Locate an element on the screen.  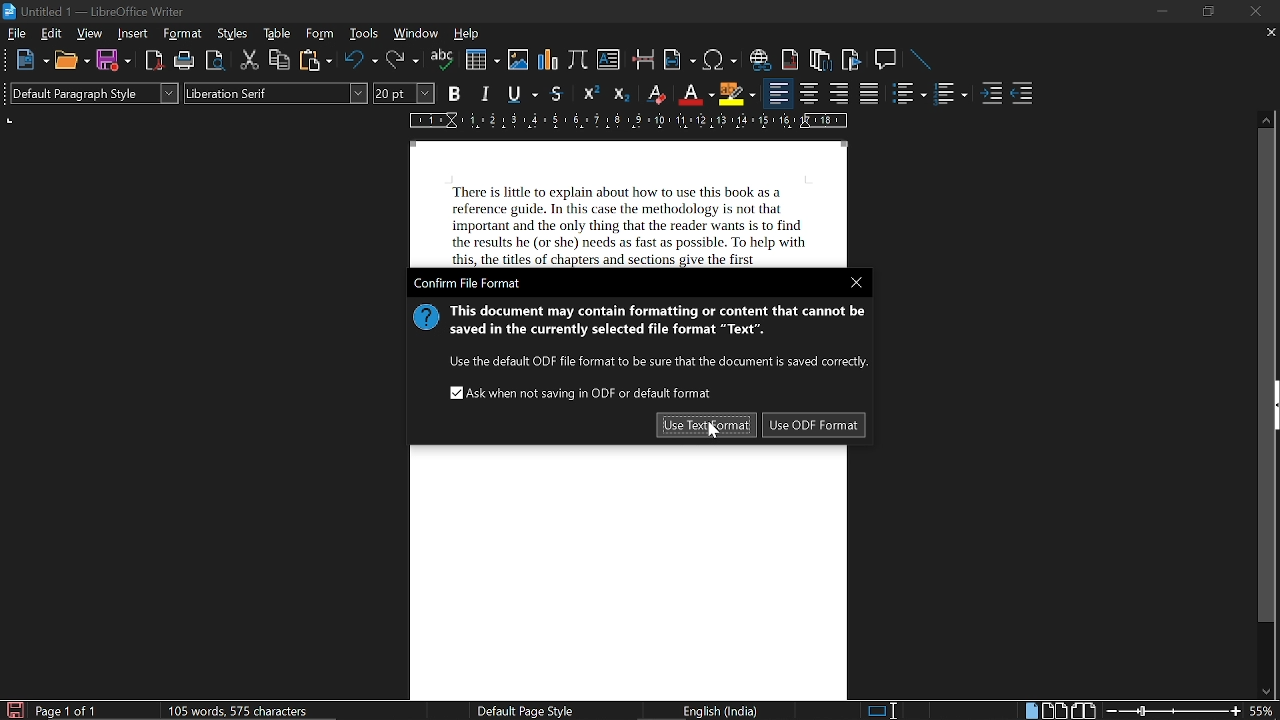
format is located at coordinates (183, 33).